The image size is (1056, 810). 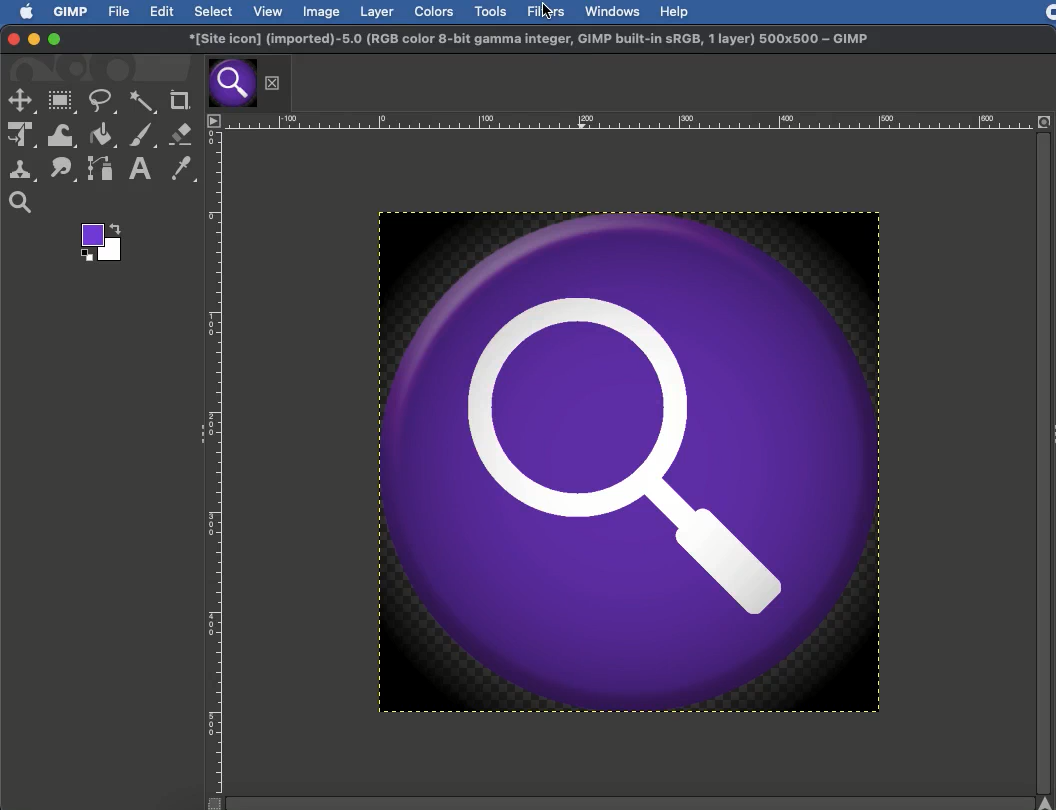 What do you see at coordinates (99, 243) in the screenshot?
I see `Color` at bounding box center [99, 243].